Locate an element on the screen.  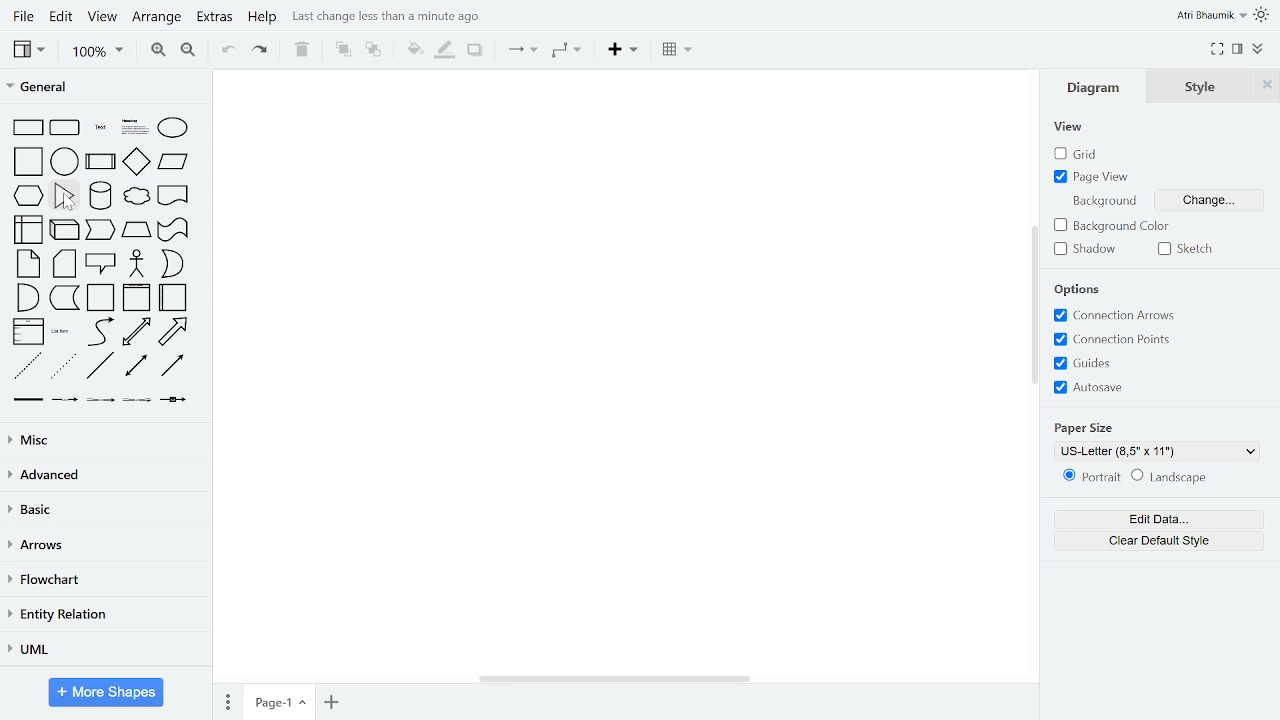
dotted line is located at coordinates (65, 367).